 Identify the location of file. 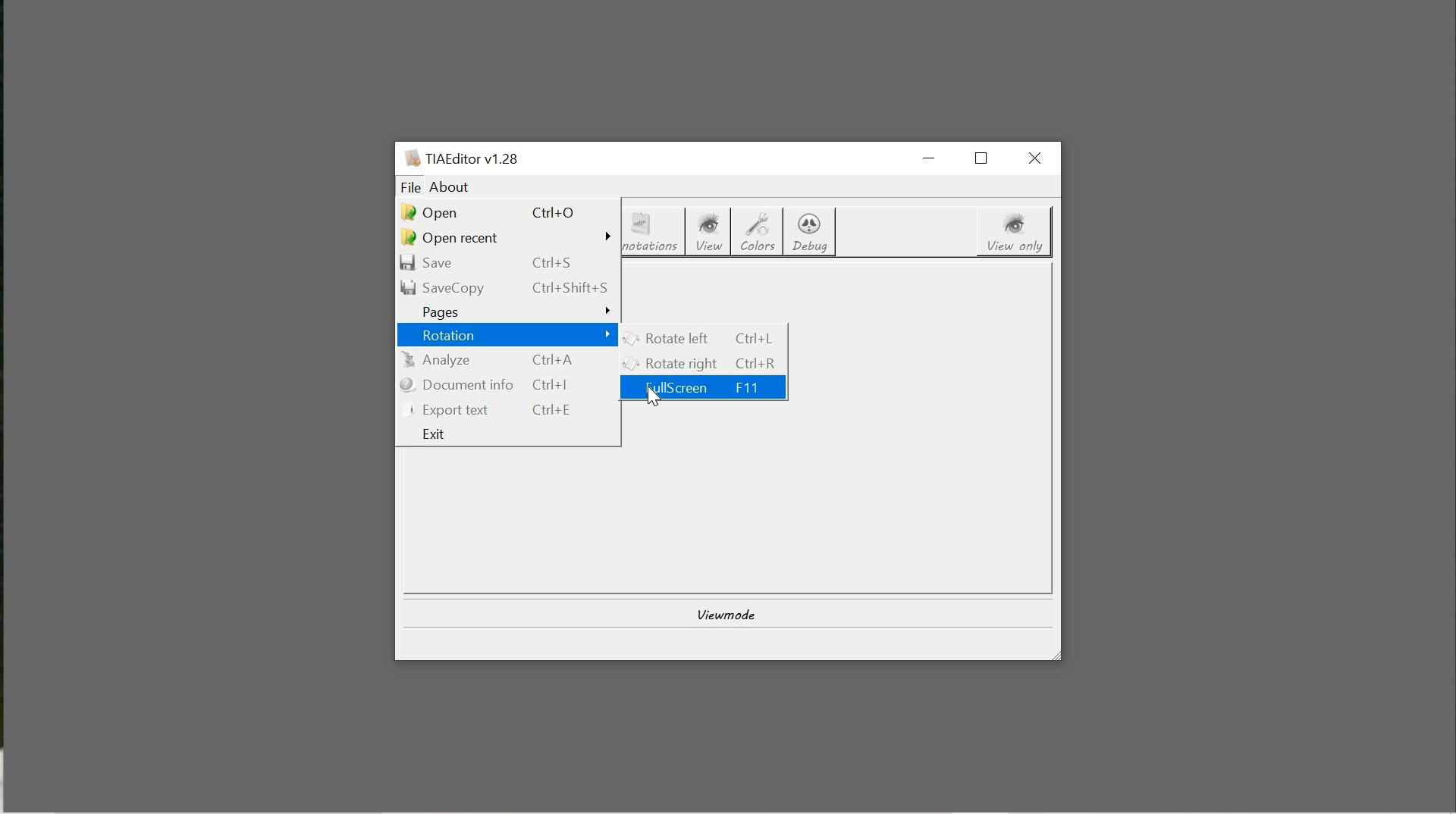
(410, 187).